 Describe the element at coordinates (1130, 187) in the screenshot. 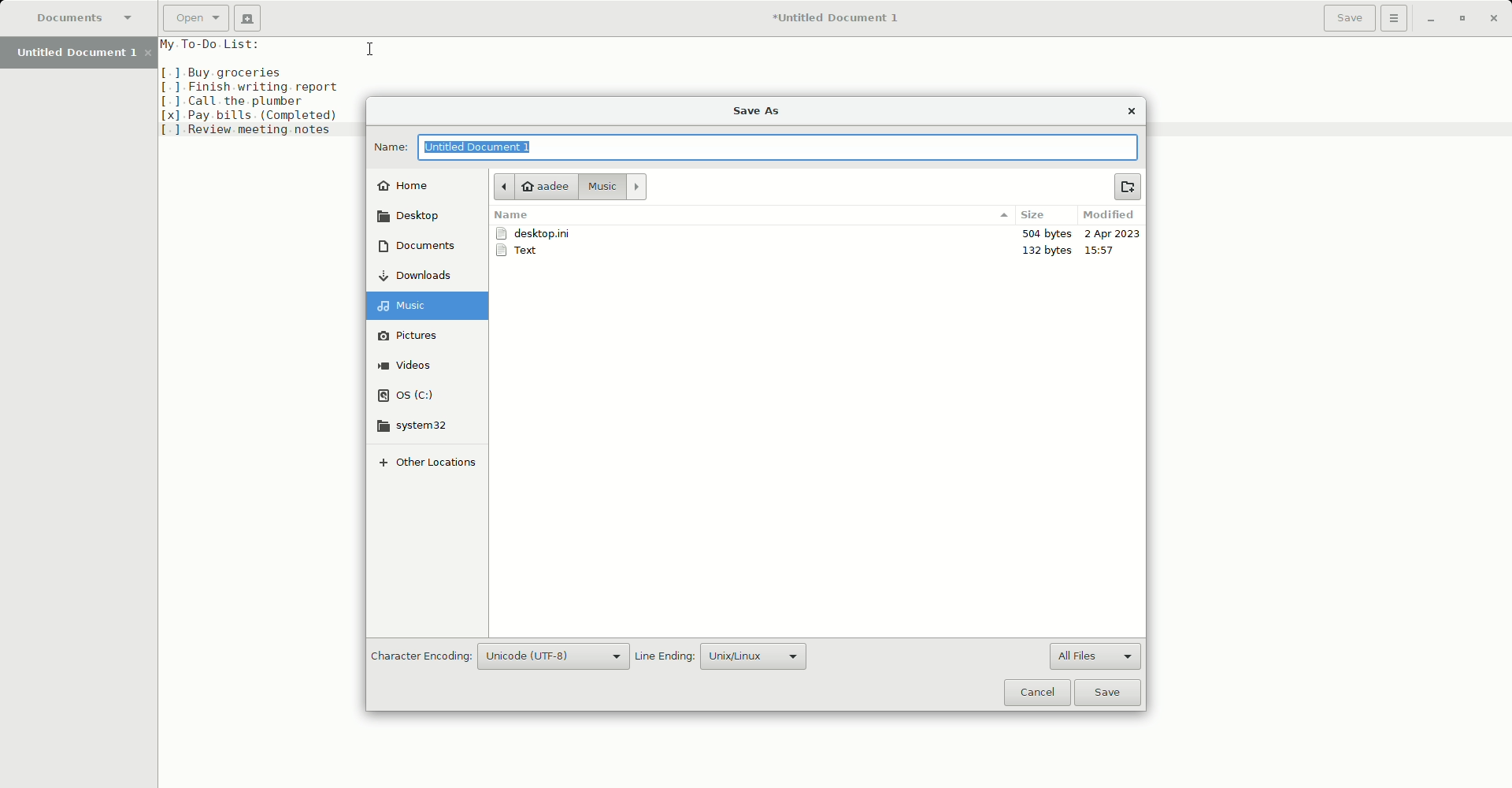

I see `New Folder` at that location.